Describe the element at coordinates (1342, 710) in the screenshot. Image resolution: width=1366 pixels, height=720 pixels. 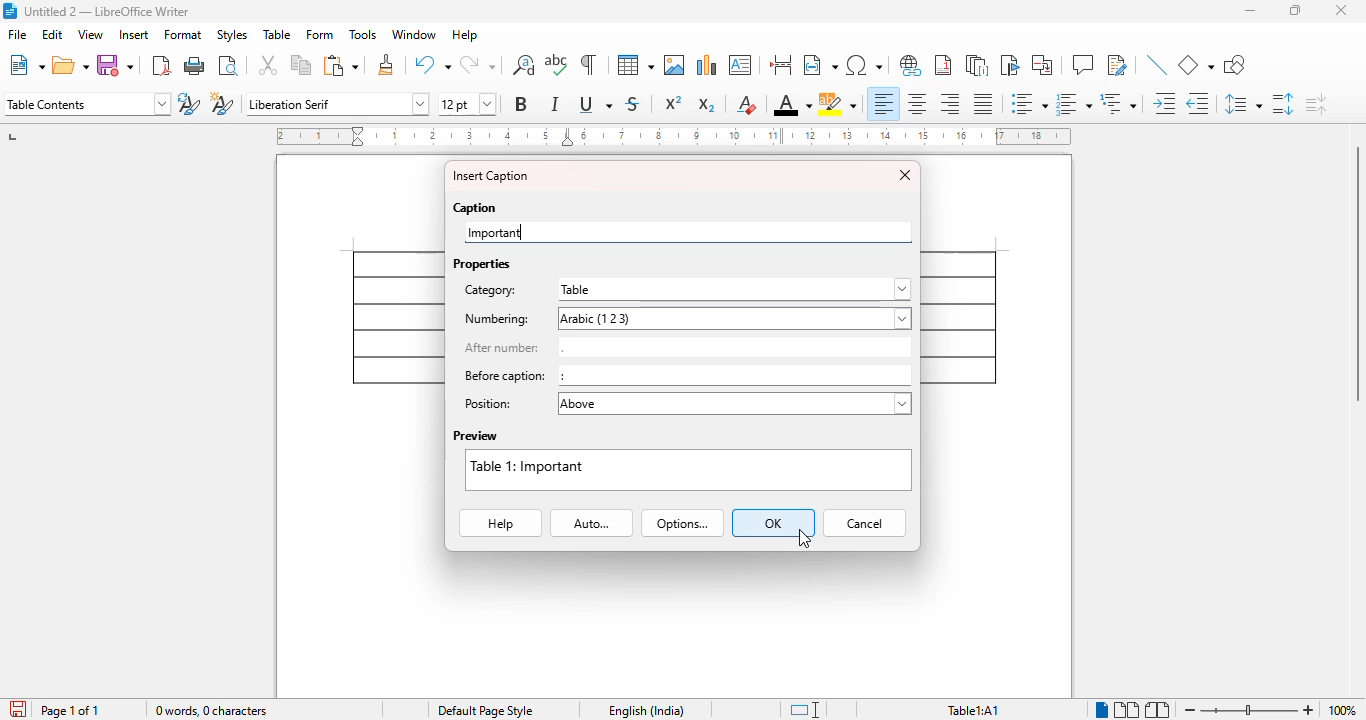
I see `zoom factor` at that location.